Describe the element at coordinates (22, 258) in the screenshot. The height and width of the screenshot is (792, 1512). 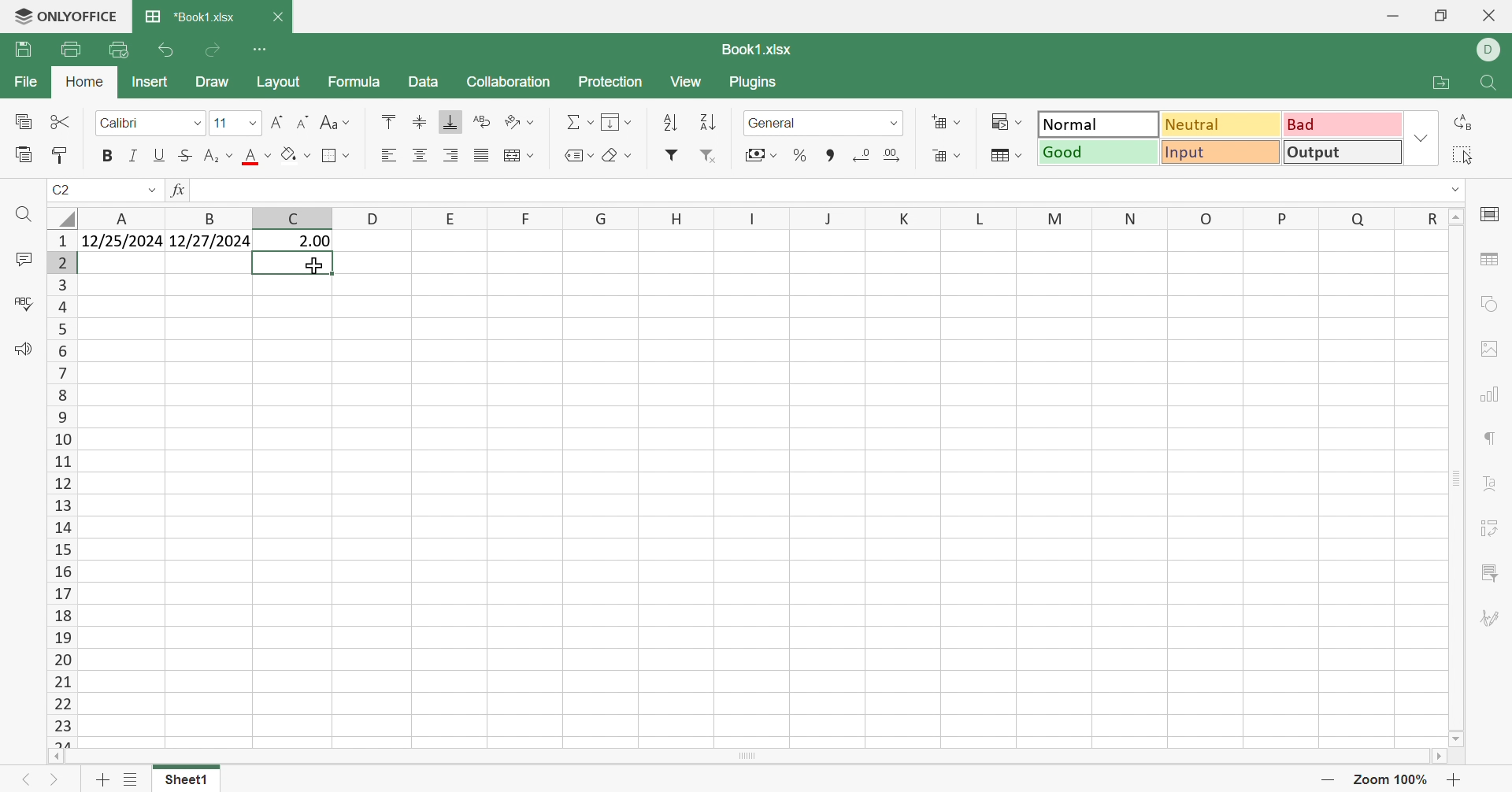
I see `Comments` at that location.